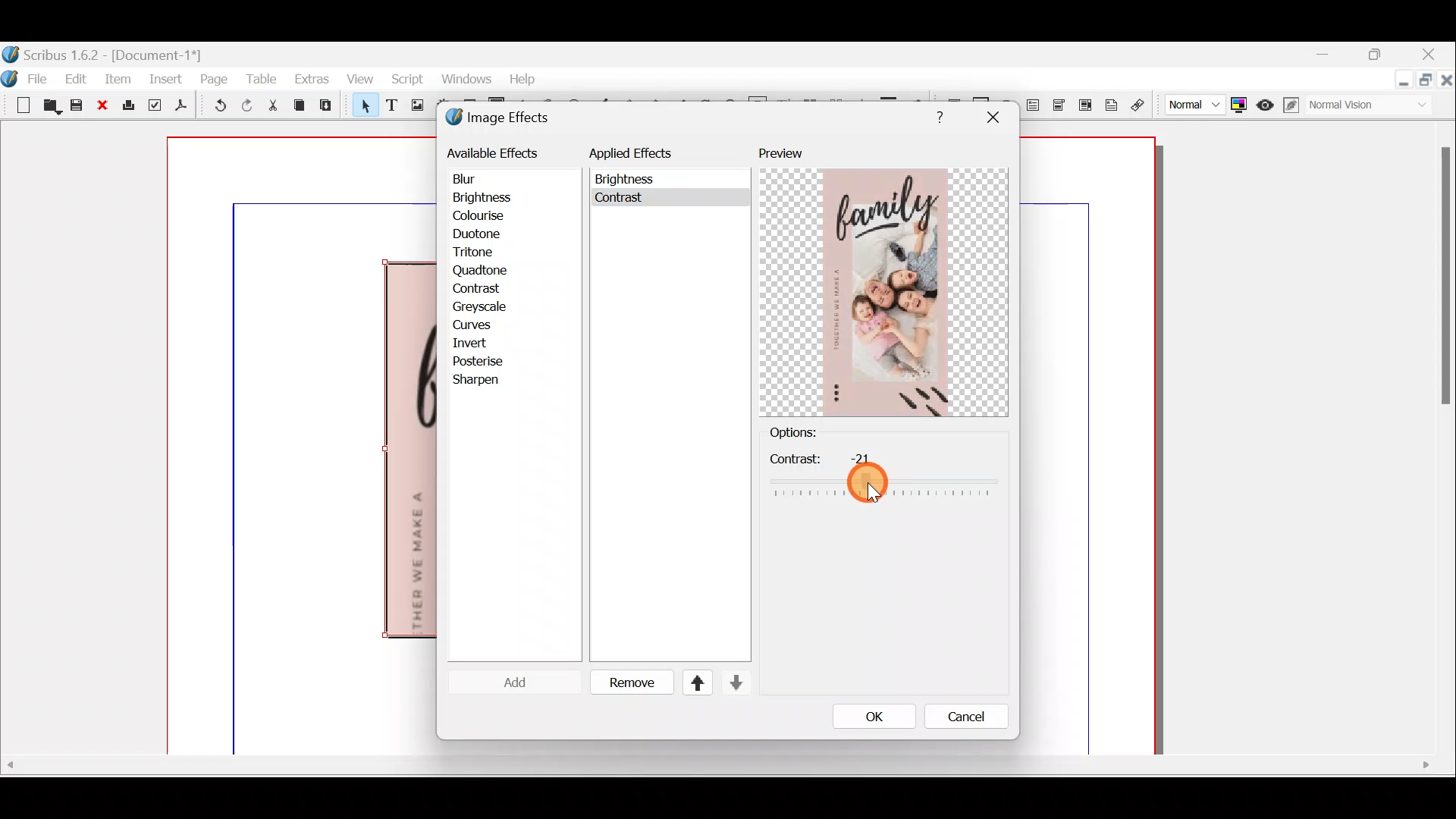  I want to click on Tritone, so click(480, 254).